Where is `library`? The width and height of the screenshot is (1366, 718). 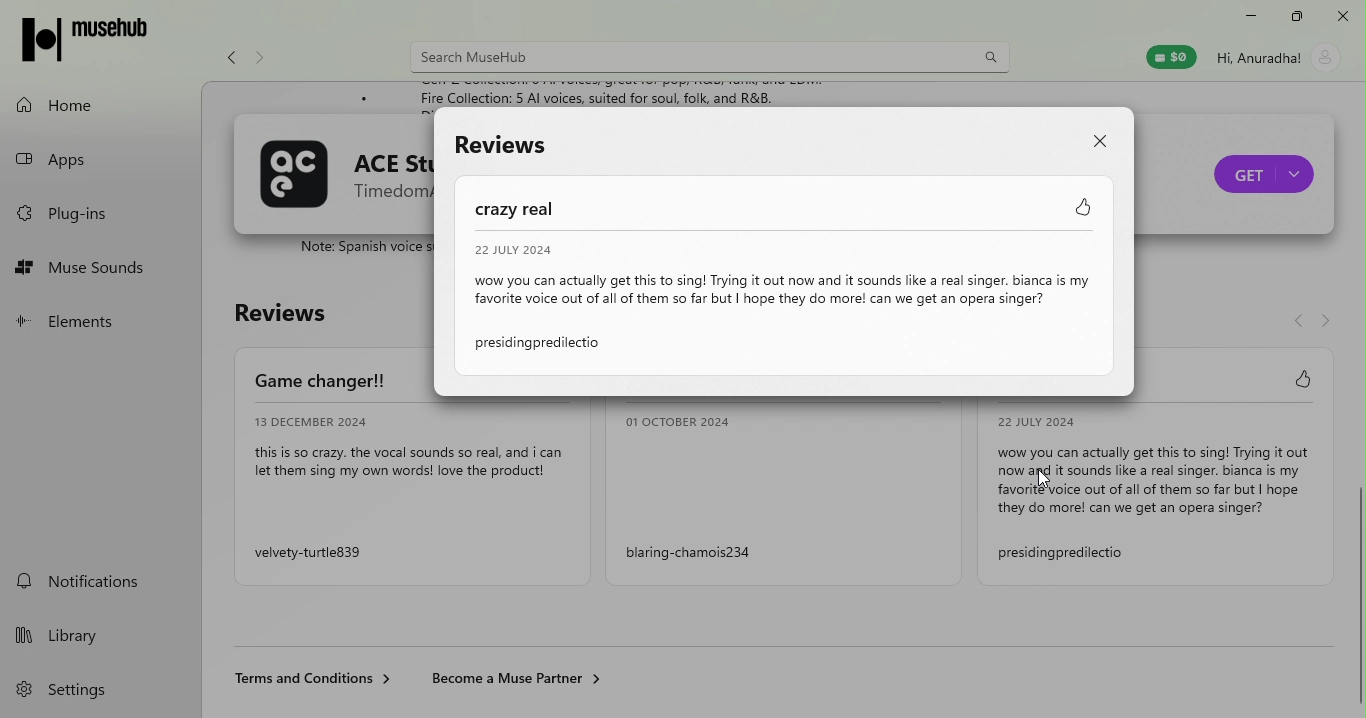
library is located at coordinates (80, 636).